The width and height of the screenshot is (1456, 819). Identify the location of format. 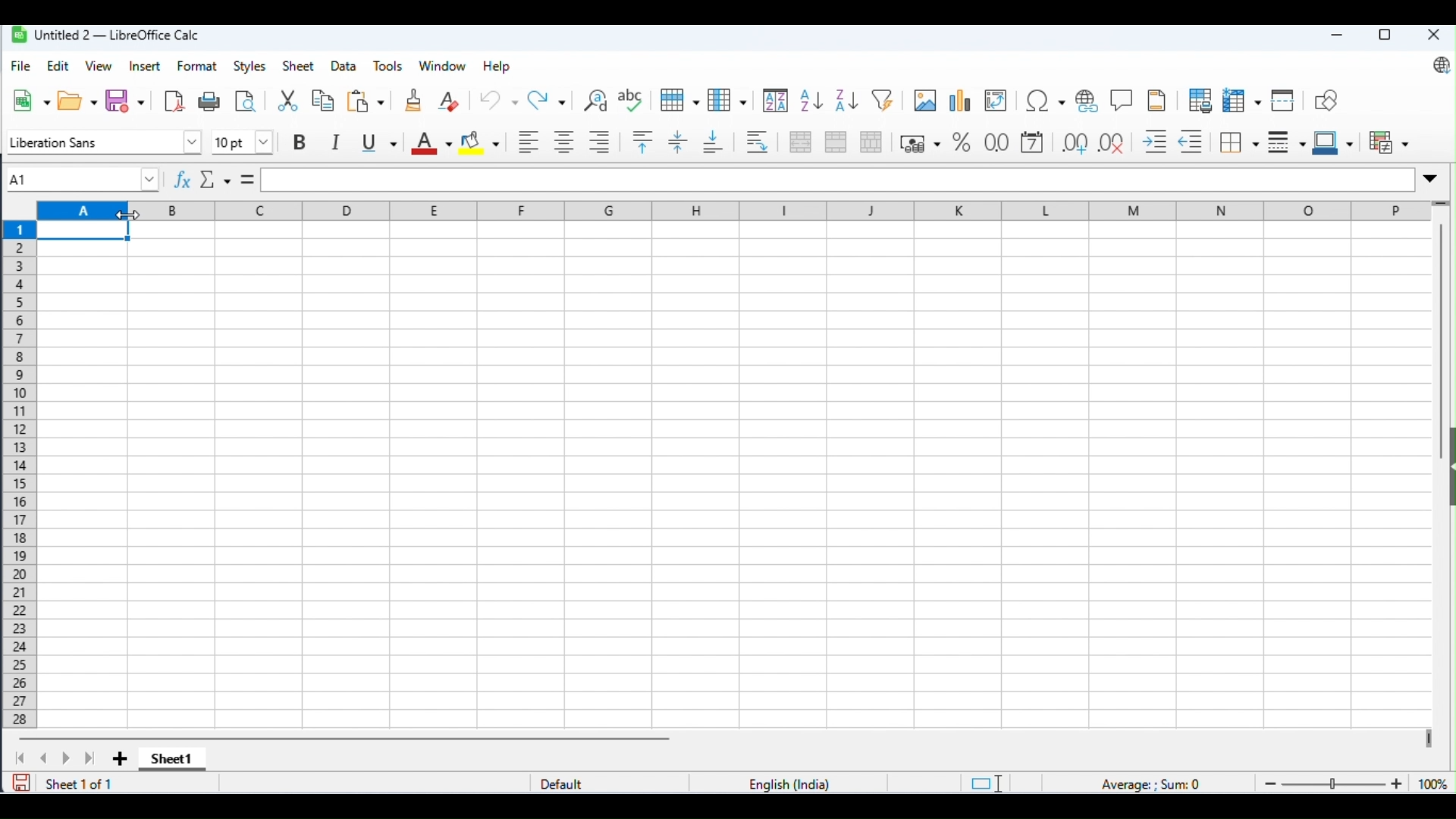
(197, 65).